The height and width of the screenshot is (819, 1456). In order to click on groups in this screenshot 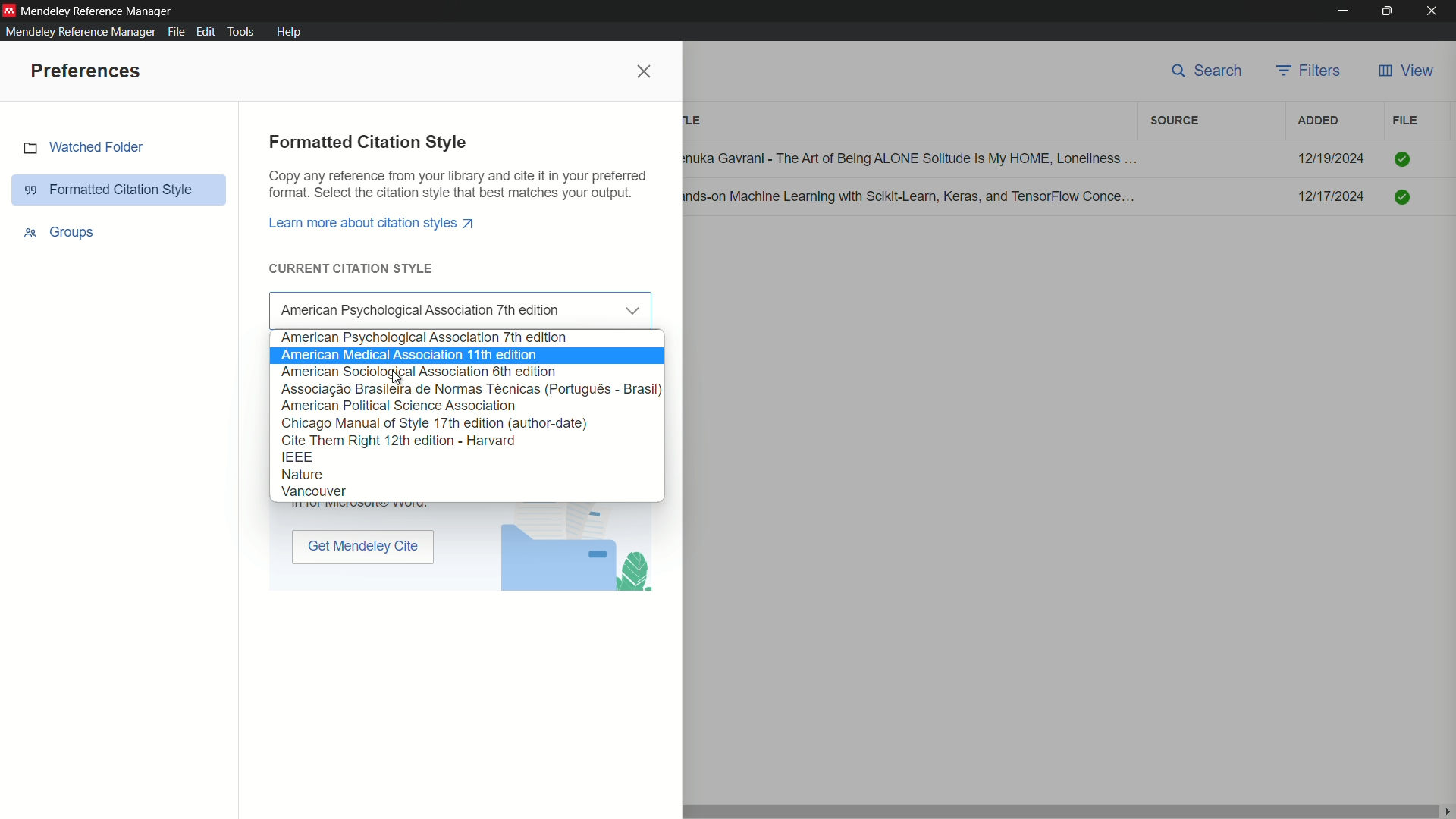, I will do `click(60, 231)`.